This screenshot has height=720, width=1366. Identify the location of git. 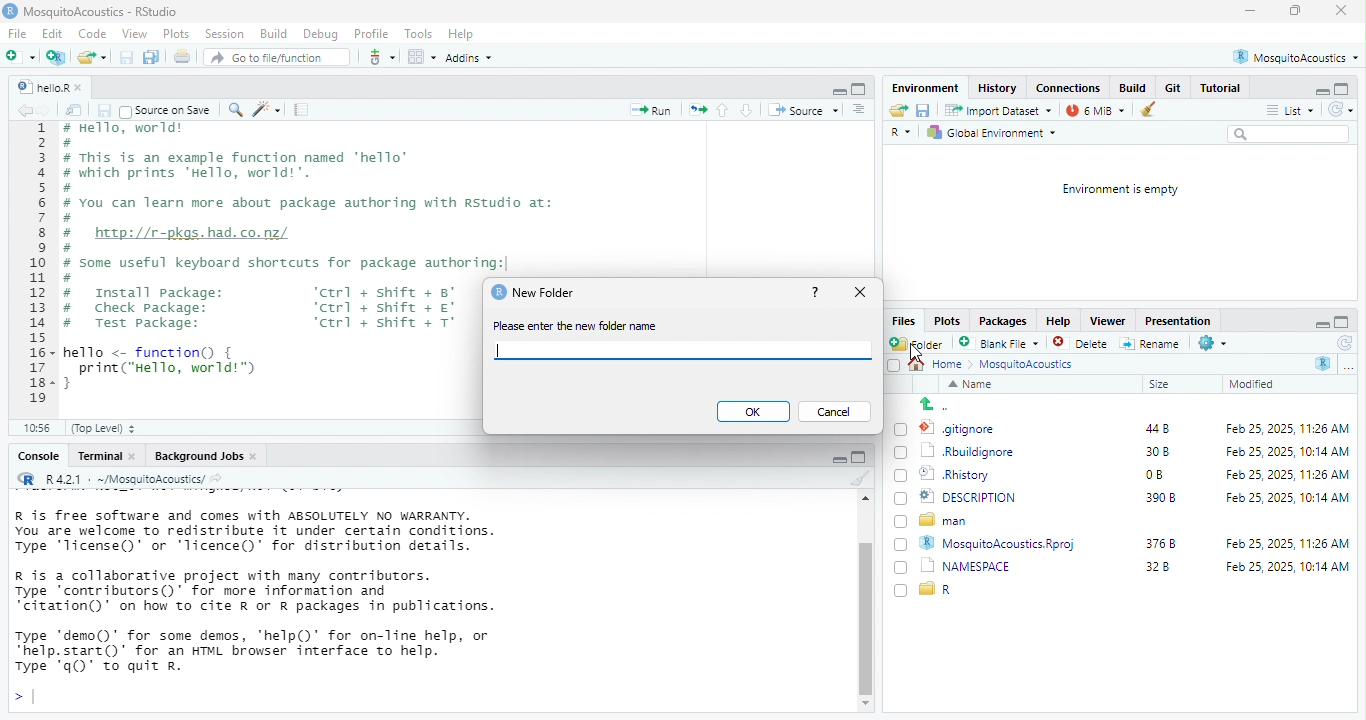
(382, 56).